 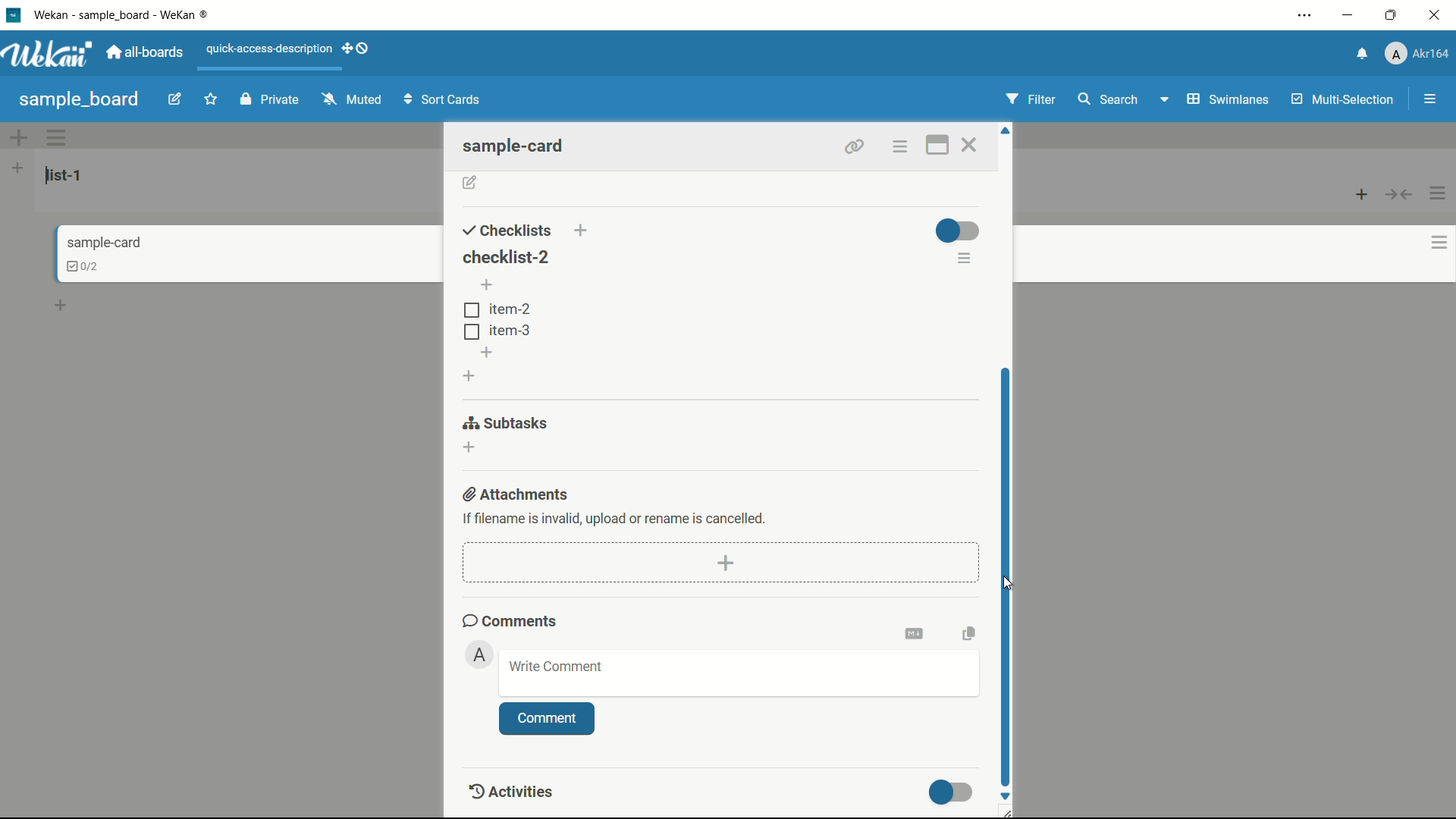 What do you see at coordinates (488, 287) in the screenshot?
I see `add item` at bounding box center [488, 287].